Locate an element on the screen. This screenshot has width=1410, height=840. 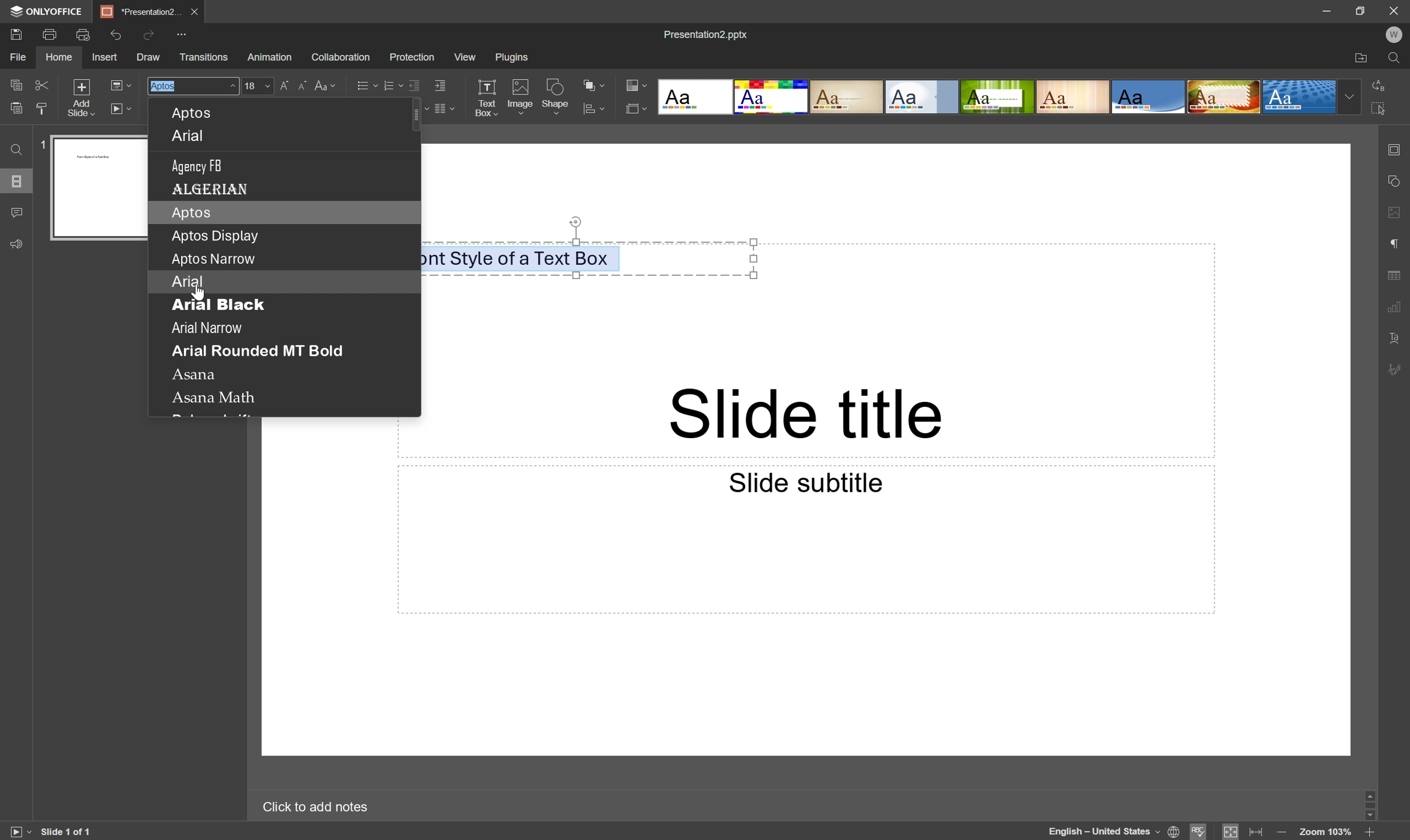
Aptos is located at coordinates (194, 113).